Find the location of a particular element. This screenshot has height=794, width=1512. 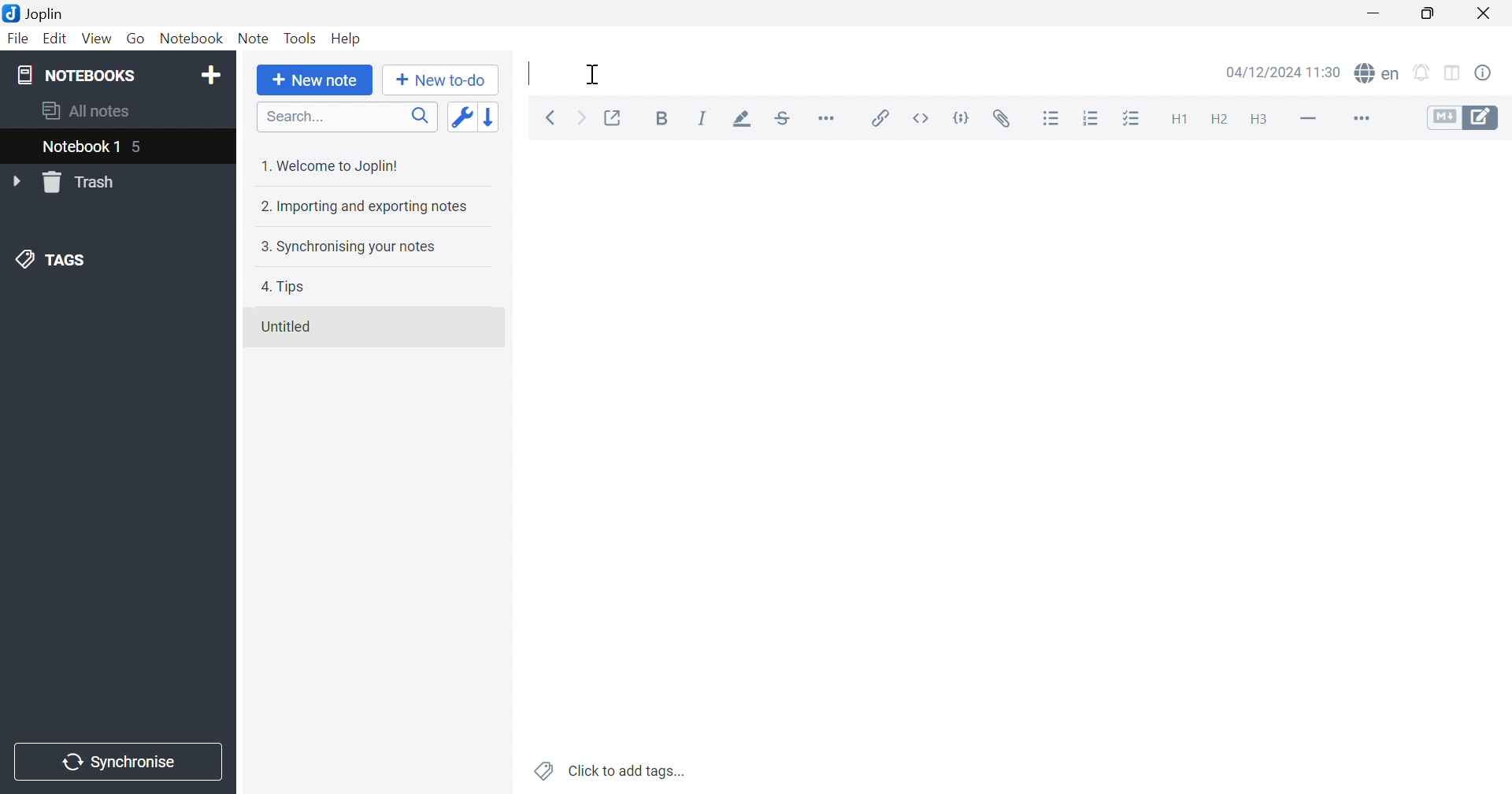

Notebook 1 is located at coordinates (80, 147).